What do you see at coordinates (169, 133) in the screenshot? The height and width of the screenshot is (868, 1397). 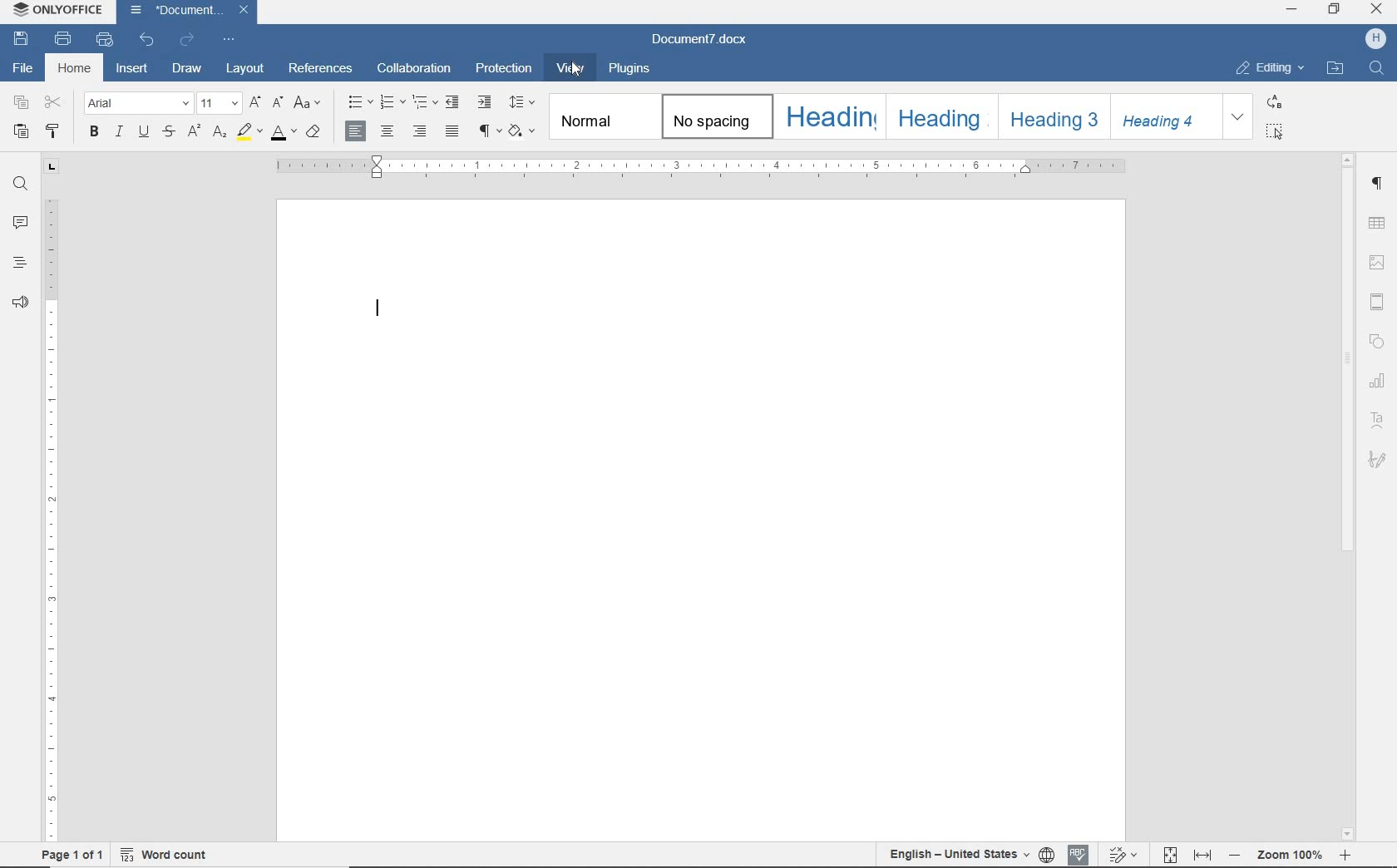 I see `STRIKETHROUGH` at bounding box center [169, 133].